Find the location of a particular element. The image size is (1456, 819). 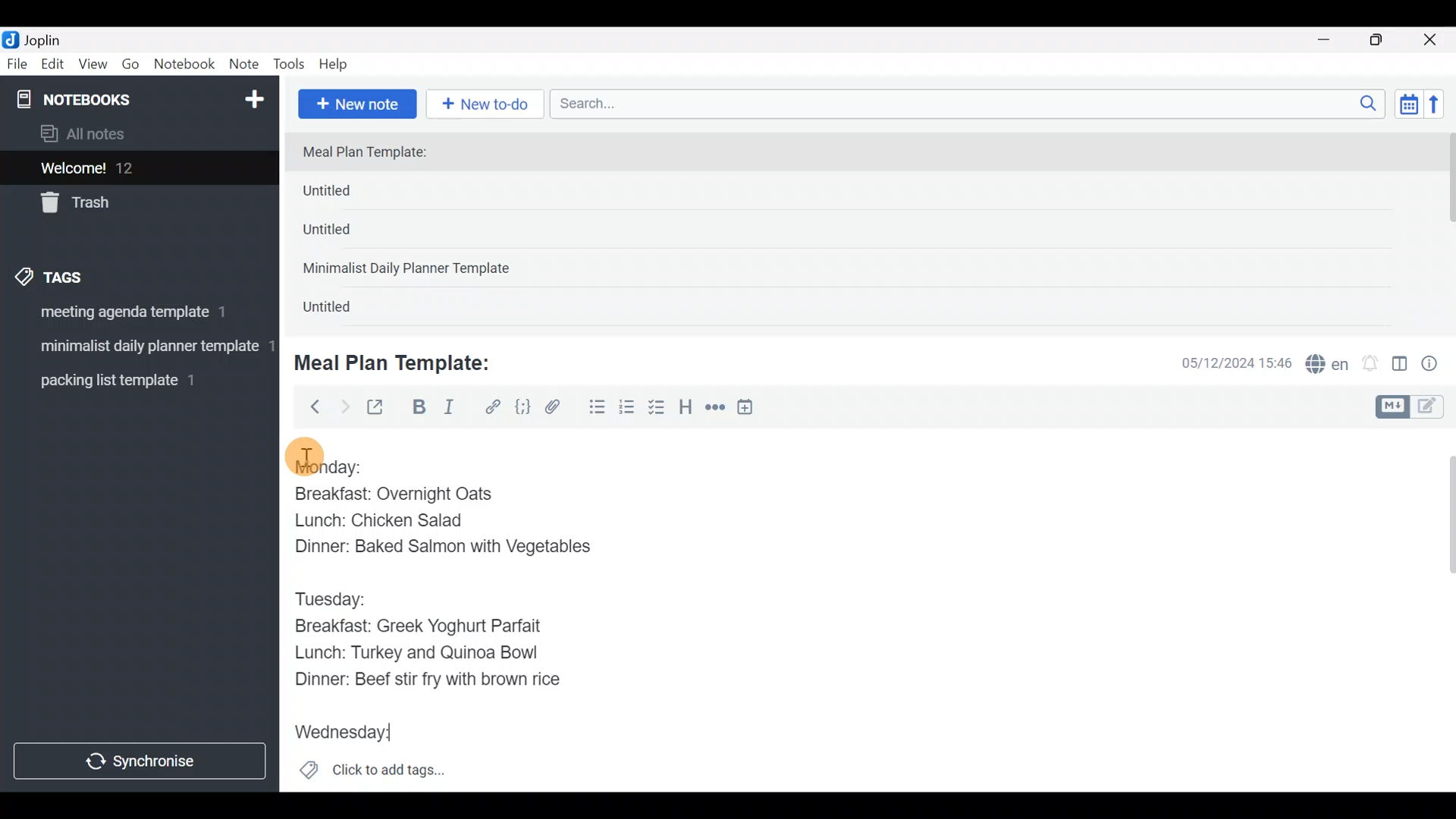

Close is located at coordinates (1432, 41).